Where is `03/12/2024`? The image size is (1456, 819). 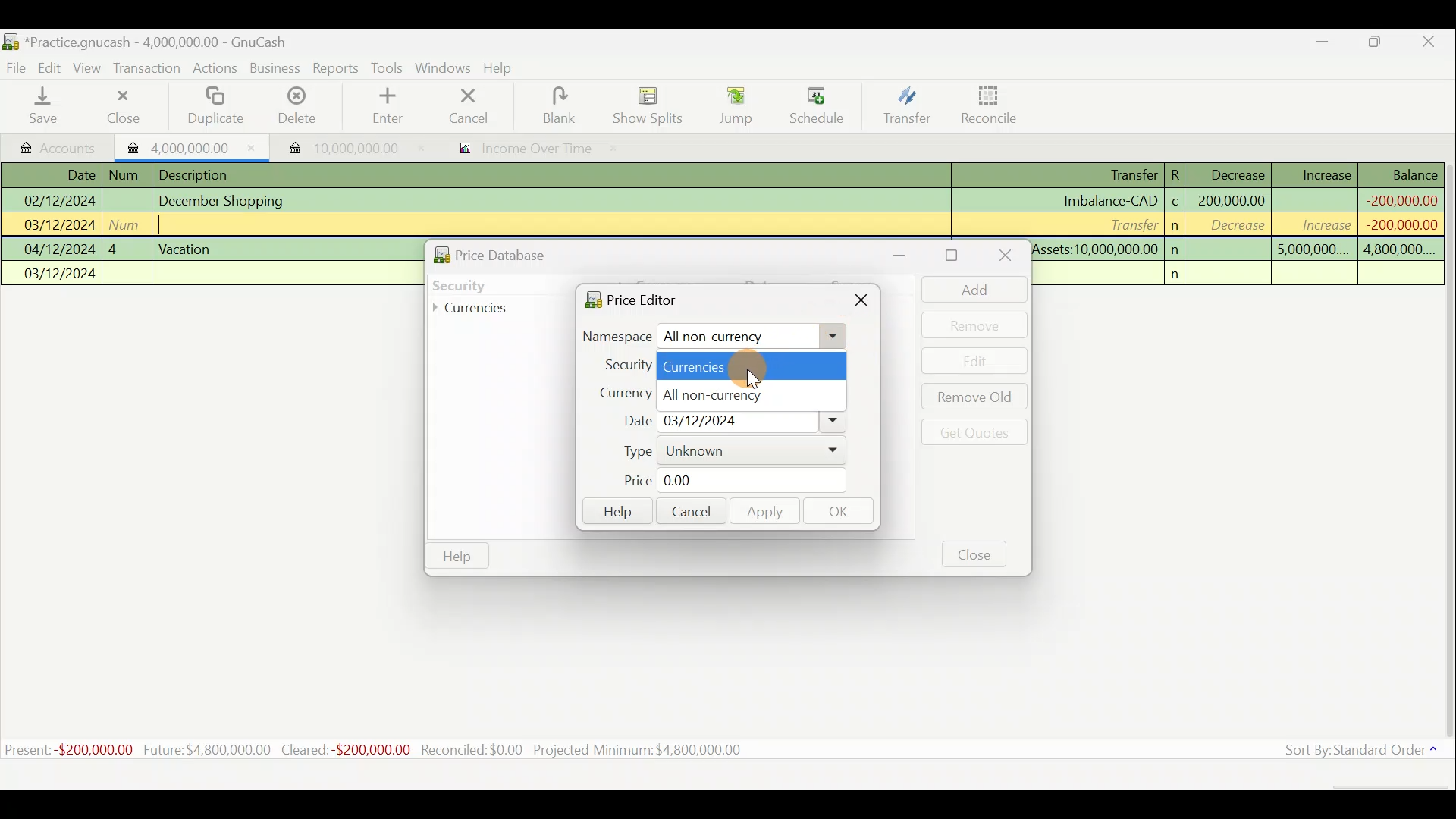
03/12/2024 is located at coordinates (61, 275).